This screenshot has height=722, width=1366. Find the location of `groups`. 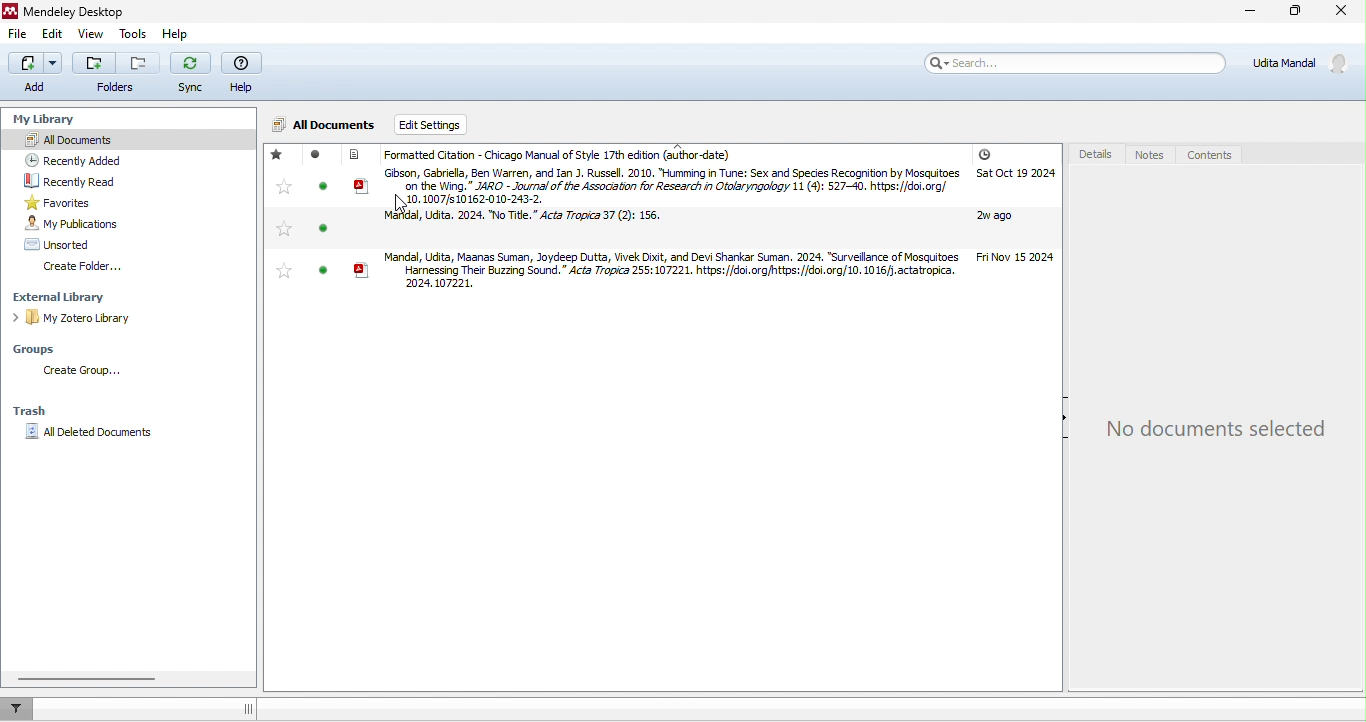

groups is located at coordinates (41, 350).